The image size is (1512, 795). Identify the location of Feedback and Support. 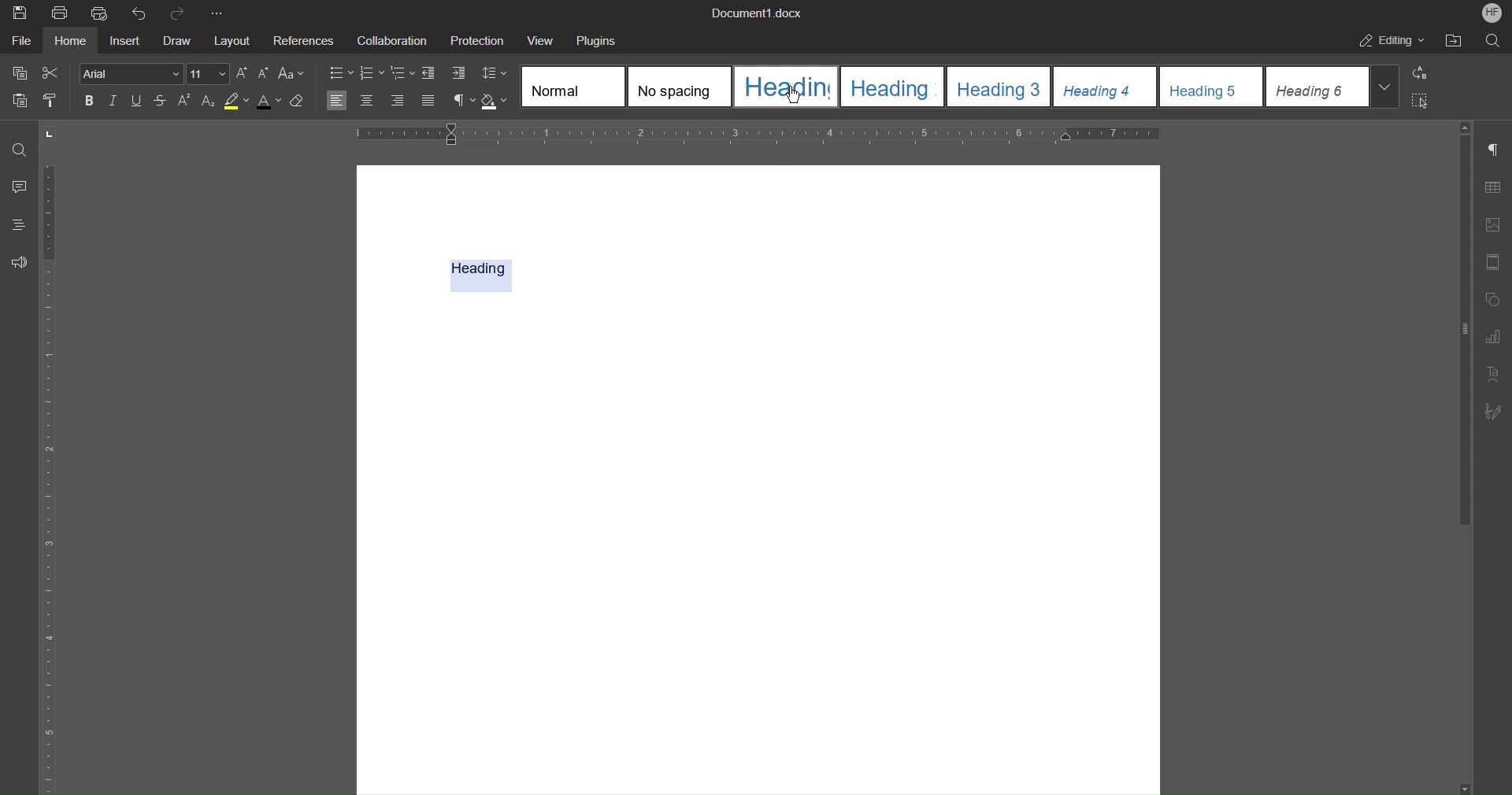
(19, 262).